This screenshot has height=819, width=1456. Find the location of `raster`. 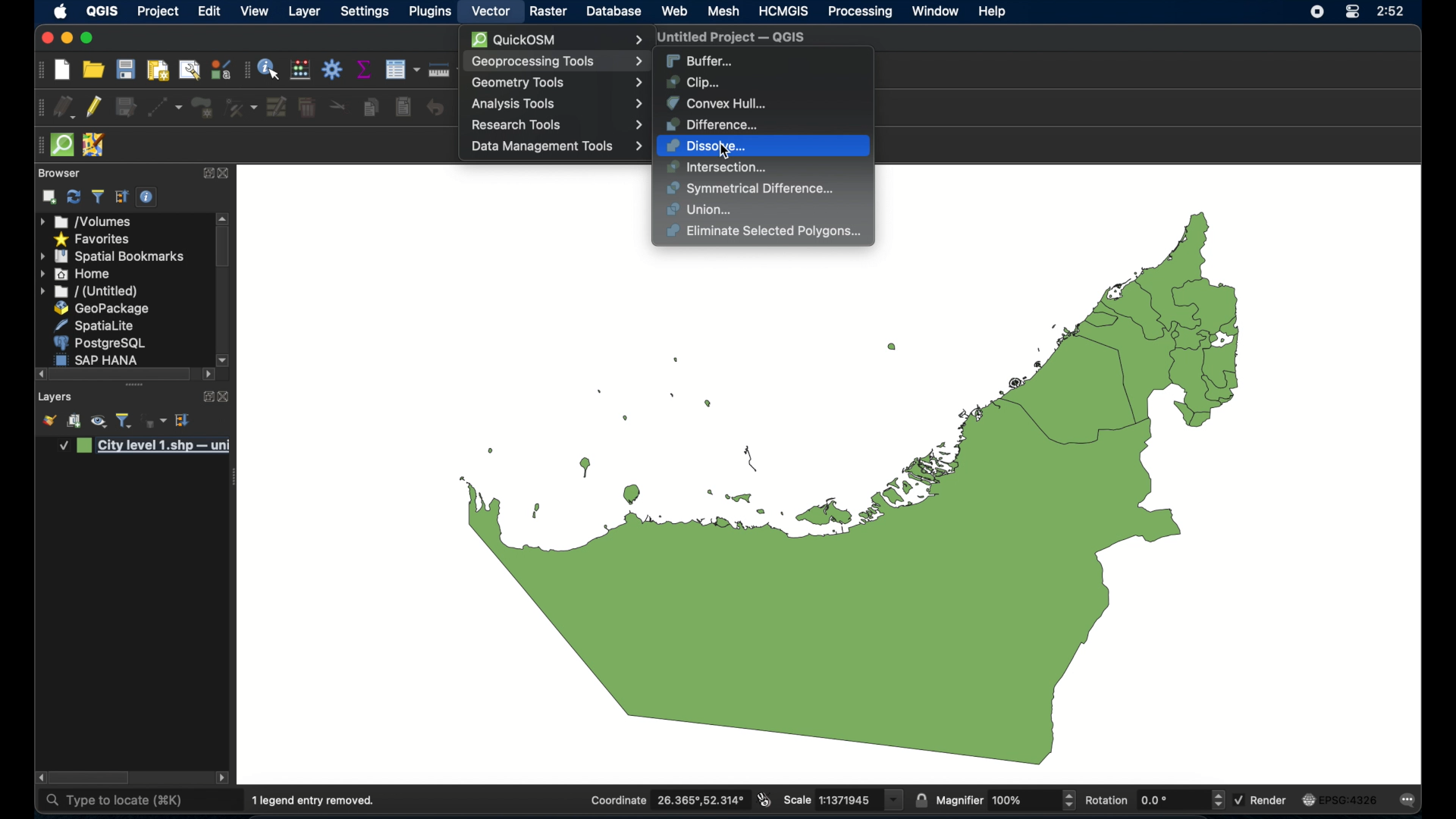

raster is located at coordinates (548, 11).